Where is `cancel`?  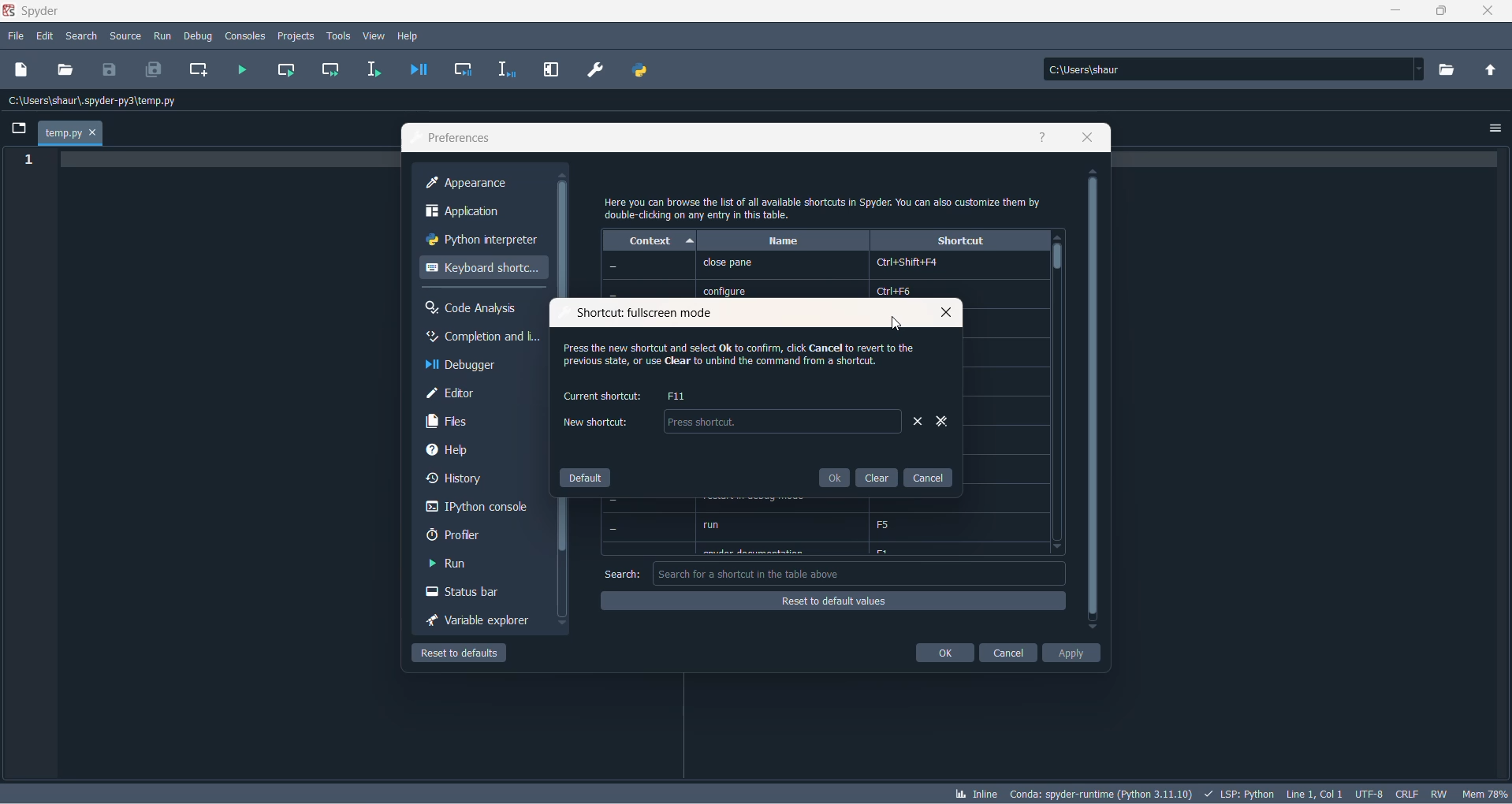 cancel is located at coordinates (929, 478).